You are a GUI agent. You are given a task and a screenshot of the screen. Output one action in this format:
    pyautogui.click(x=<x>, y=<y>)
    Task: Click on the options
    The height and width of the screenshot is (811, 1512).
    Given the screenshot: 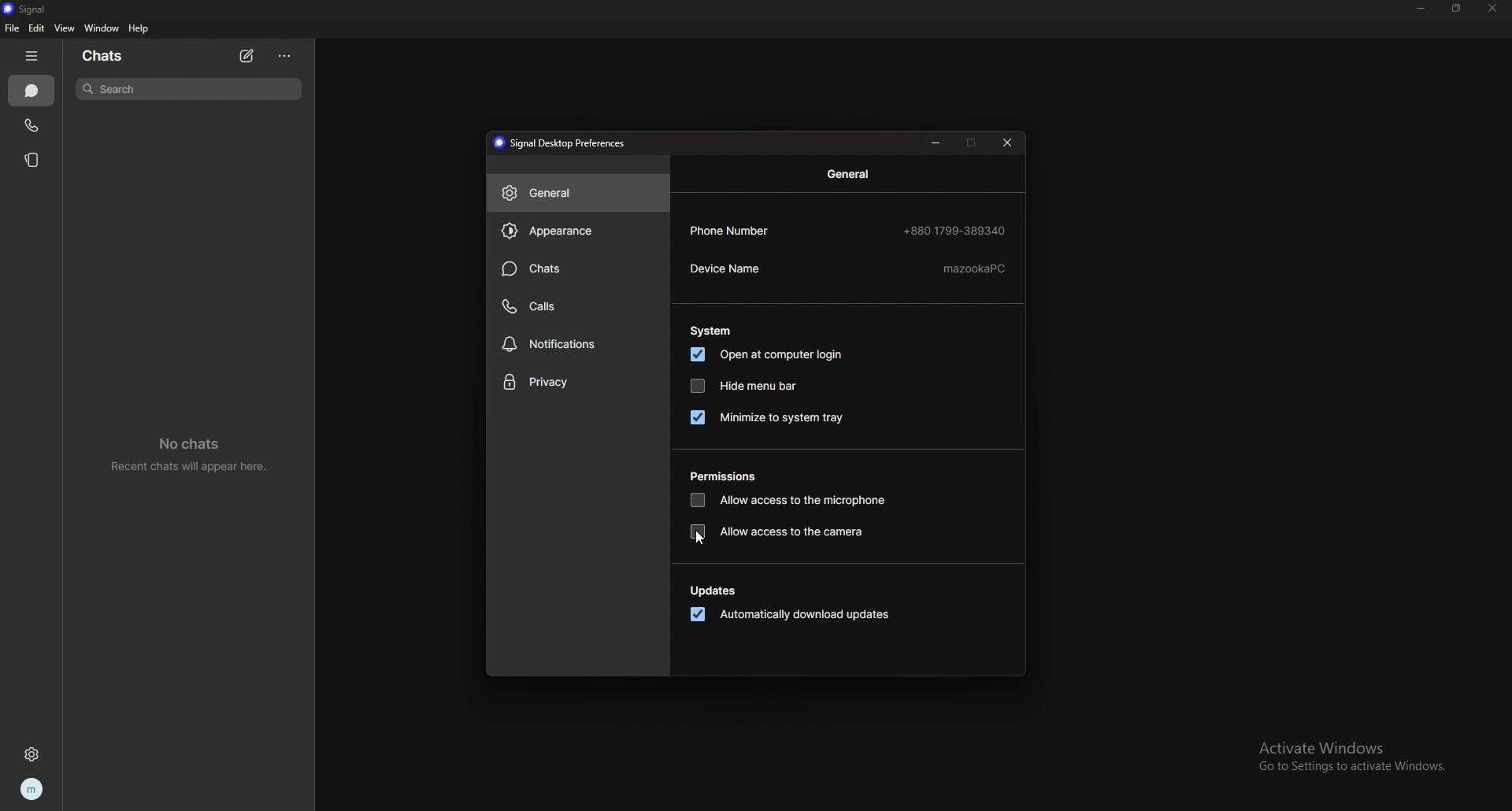 What is the action you would take?
    pyautogui.click(x=285, y=55)
    